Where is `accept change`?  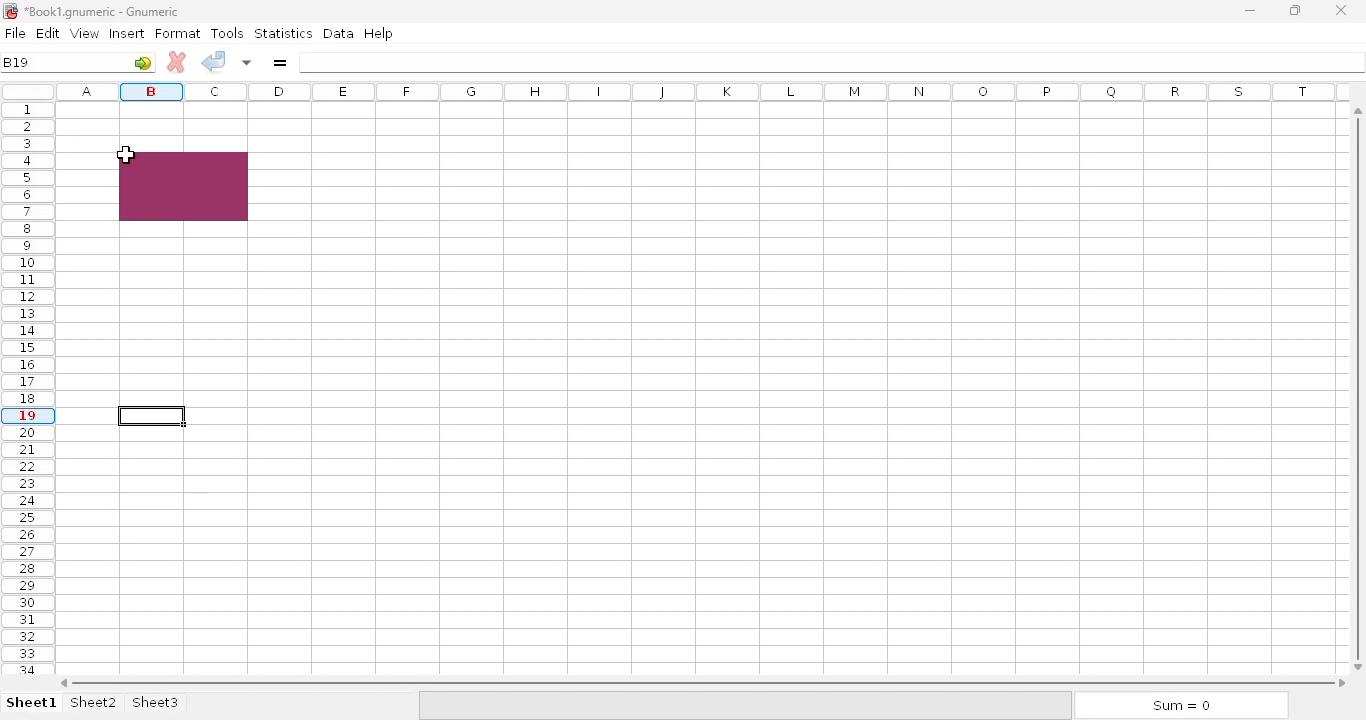
accept change is located at coordinates (215, 61).